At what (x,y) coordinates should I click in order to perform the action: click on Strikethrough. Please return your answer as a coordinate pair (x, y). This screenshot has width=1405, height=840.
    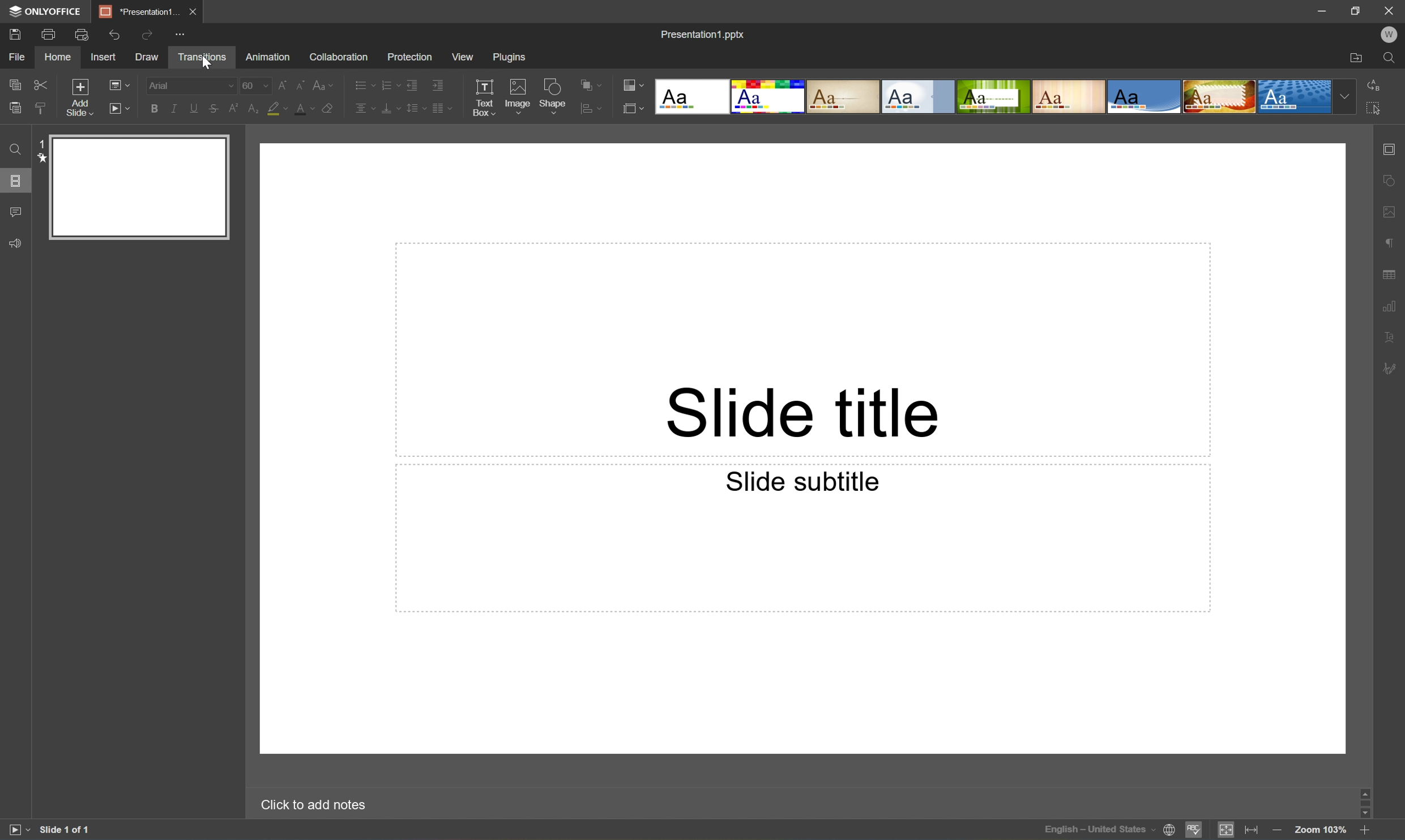
    Looking at the image, I should click on (212, 109).